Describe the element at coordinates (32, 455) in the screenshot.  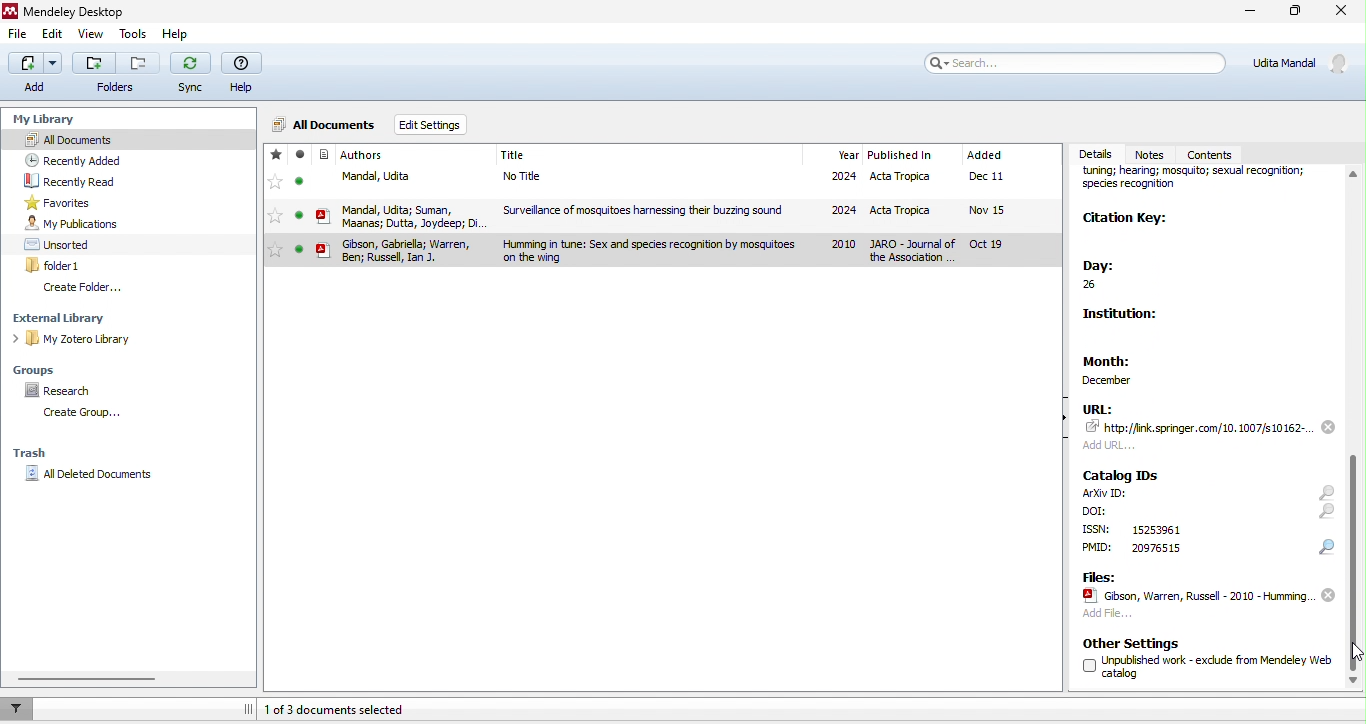
I see `trash` at that location.